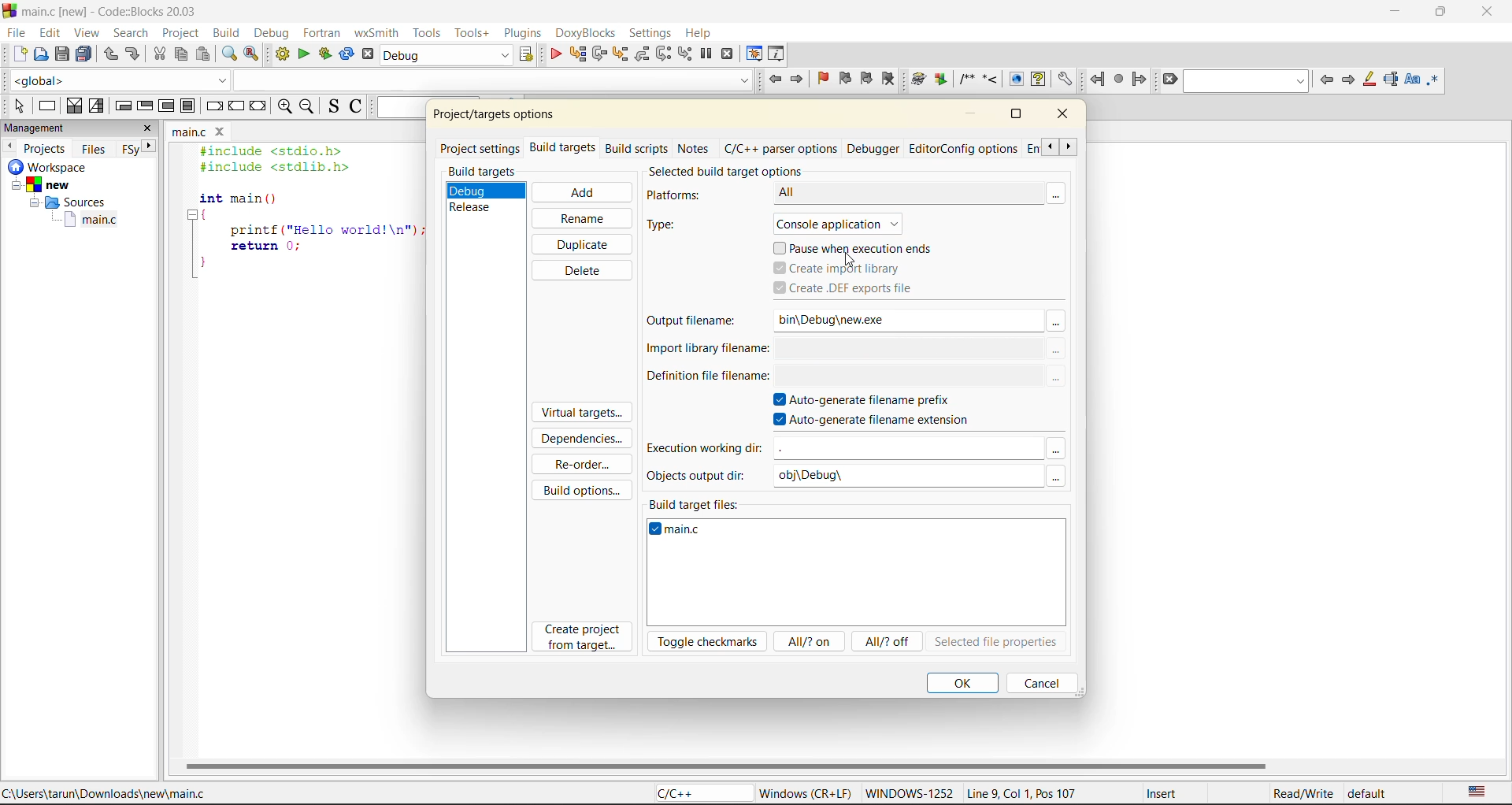  I want to click on debugger, so click(875, 148).